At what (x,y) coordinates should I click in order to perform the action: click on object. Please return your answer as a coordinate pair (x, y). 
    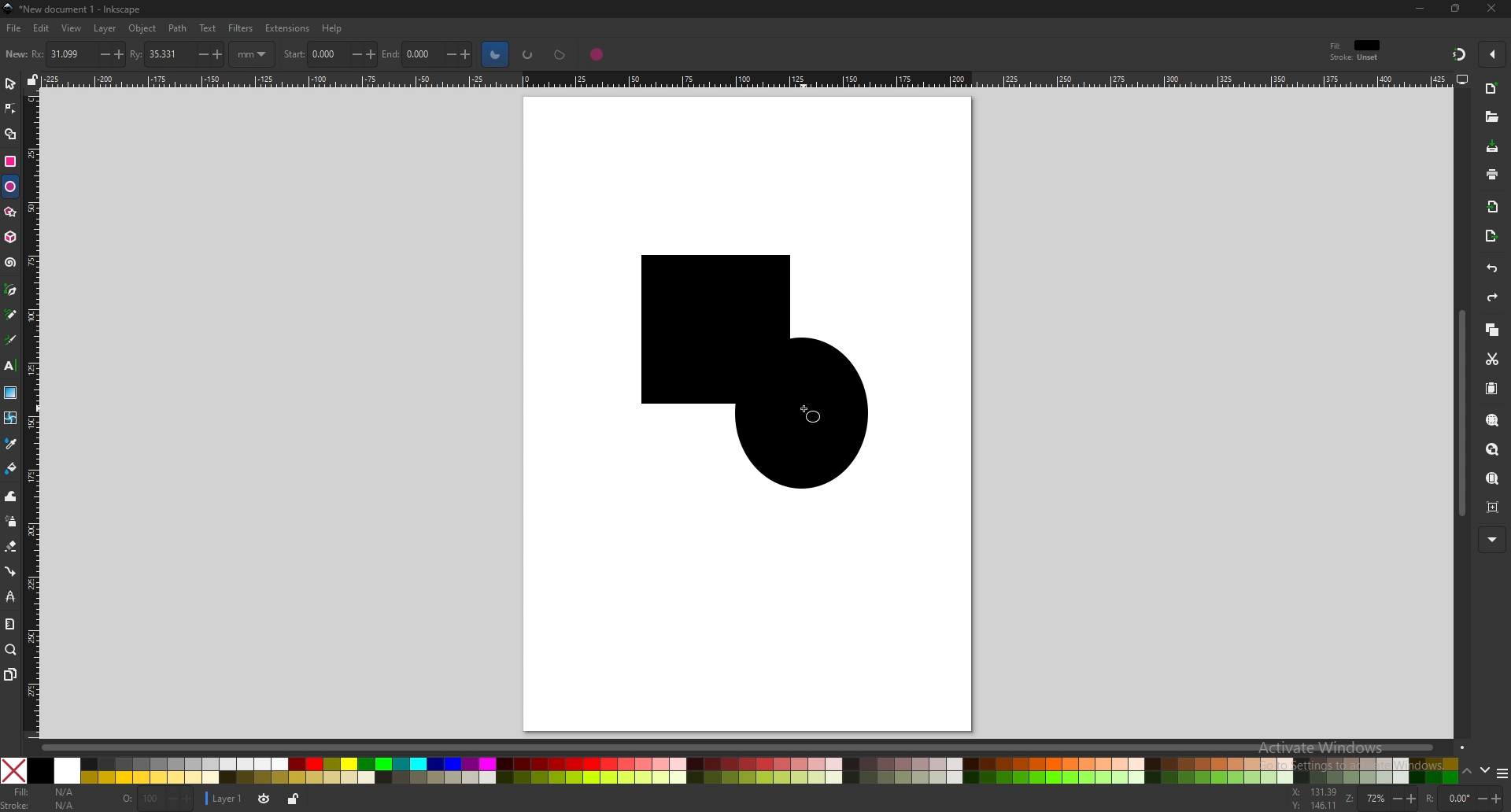
    Looking at the image, I should click on (142, 28).